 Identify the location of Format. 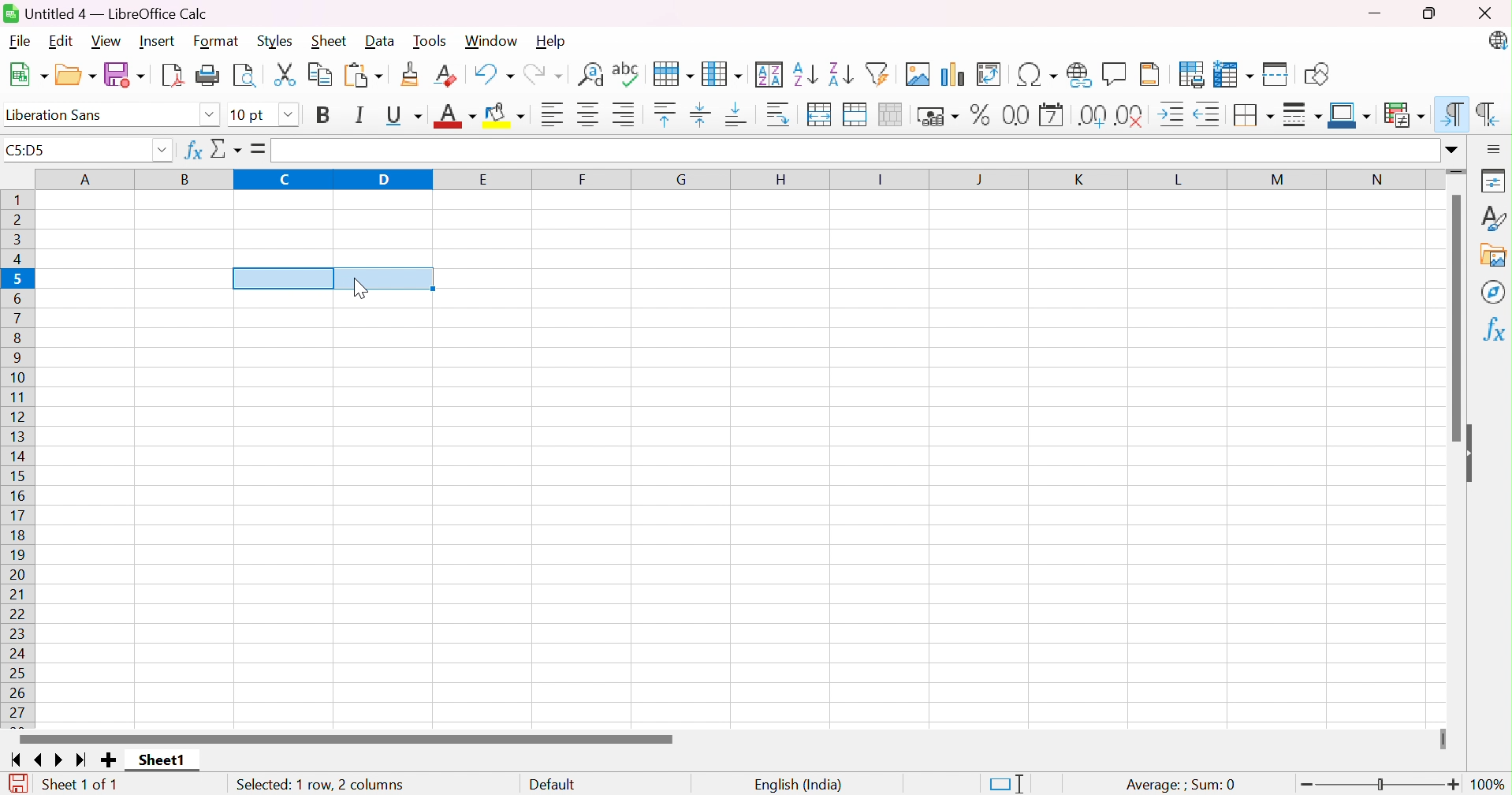
(217, 40).